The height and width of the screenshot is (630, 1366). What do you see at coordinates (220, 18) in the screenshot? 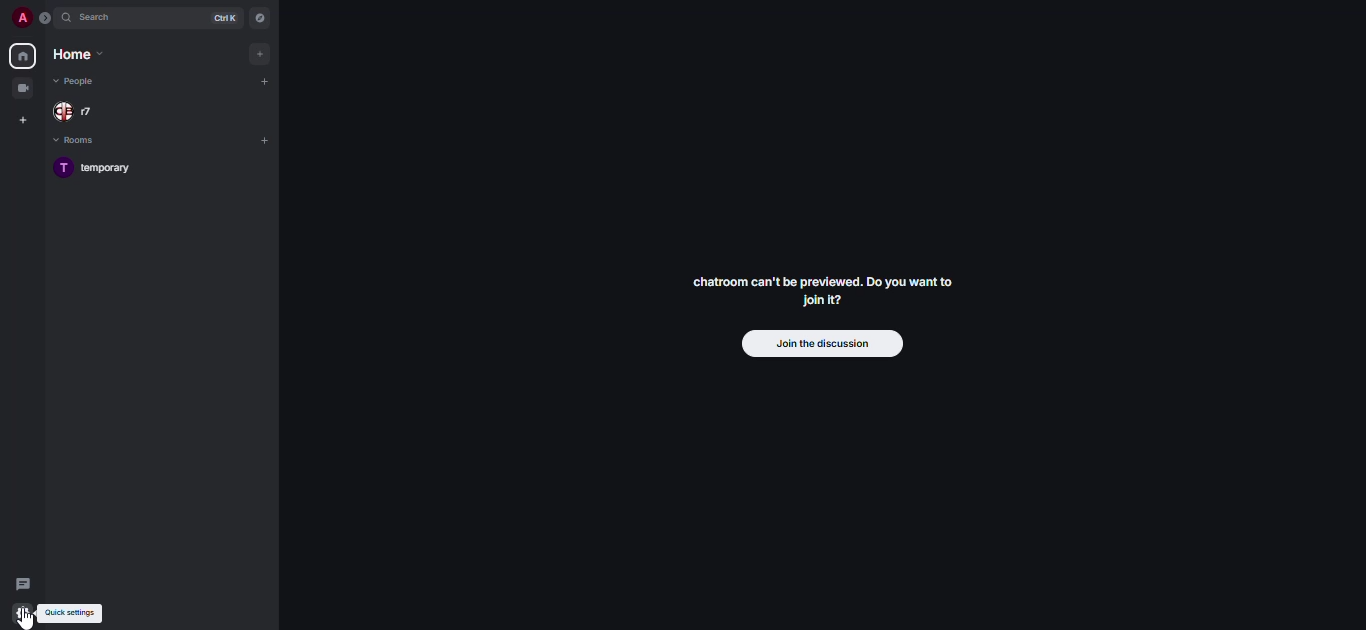
I see `ctrl K` at bounding box center [220, 18].